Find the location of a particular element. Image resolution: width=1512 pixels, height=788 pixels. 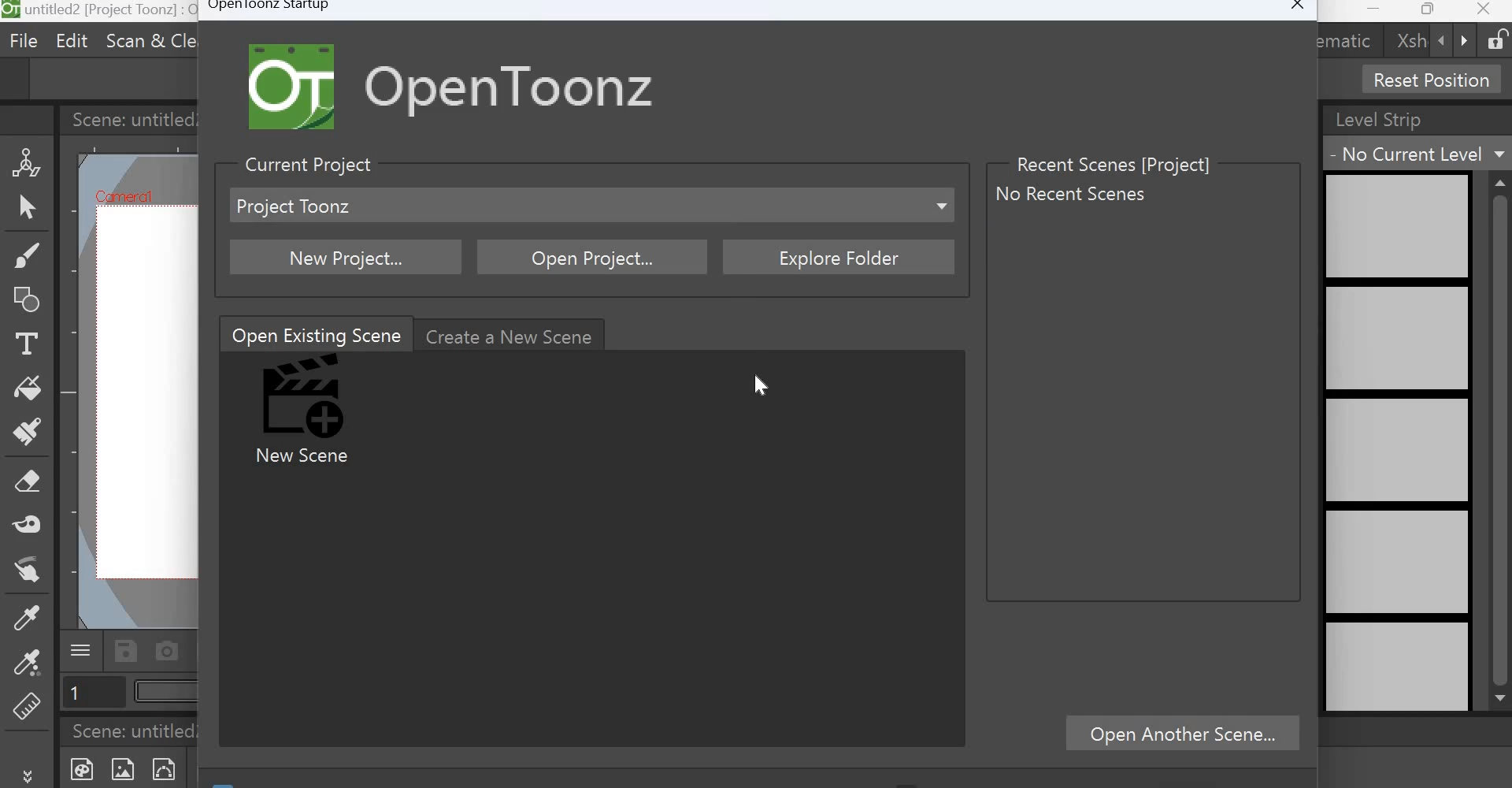

No current level is located at coordinates (1414, 156).